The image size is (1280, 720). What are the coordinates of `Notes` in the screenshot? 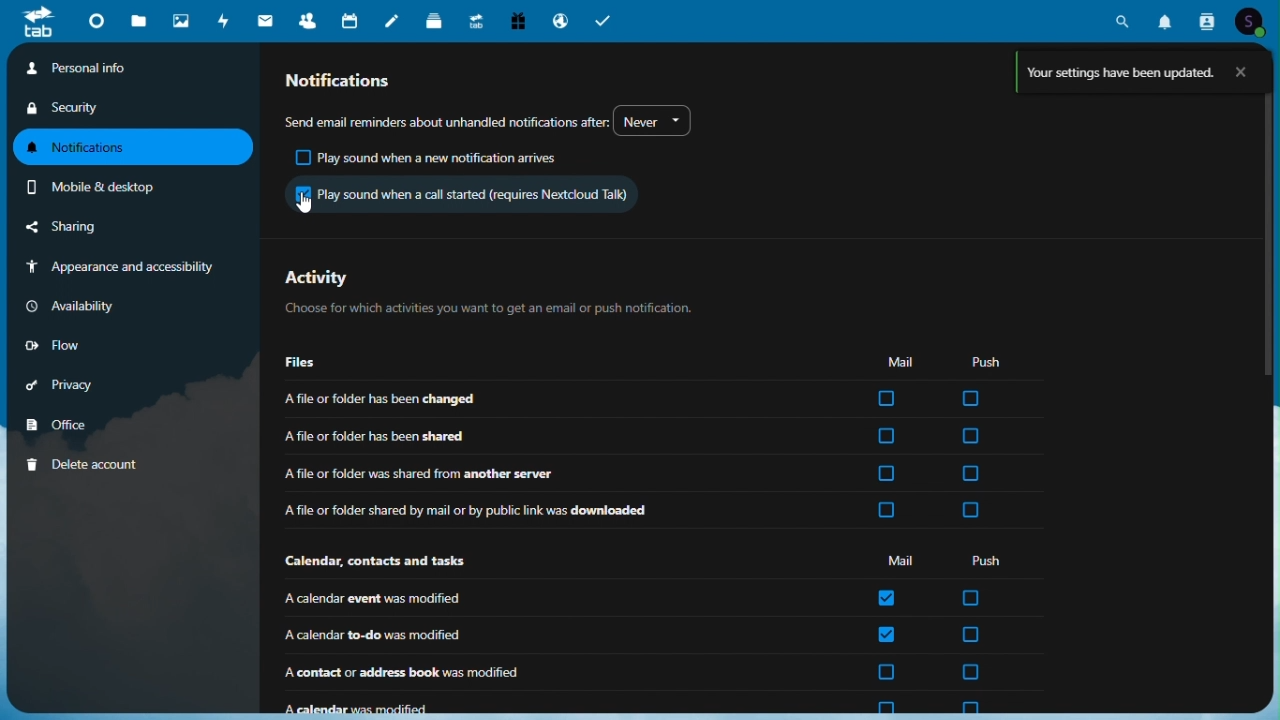 It's located at (393, 18).